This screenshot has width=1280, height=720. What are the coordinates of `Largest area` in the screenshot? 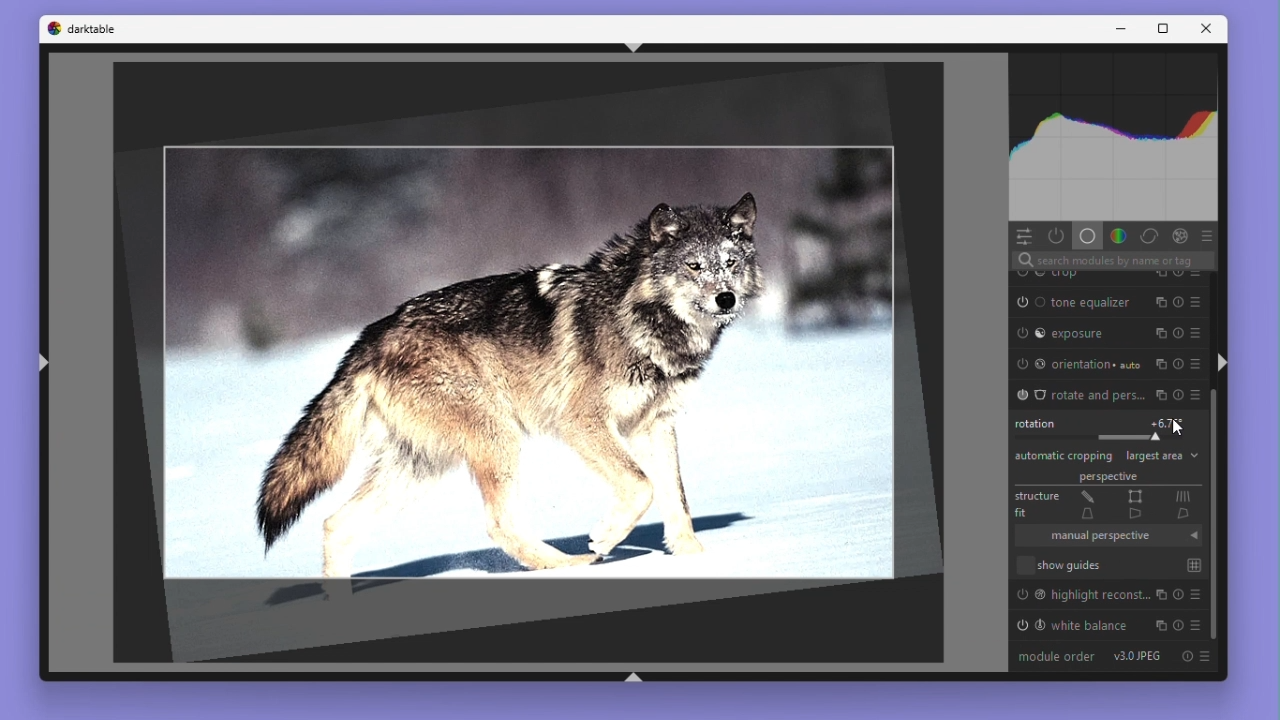 It's located at (1161, 456).